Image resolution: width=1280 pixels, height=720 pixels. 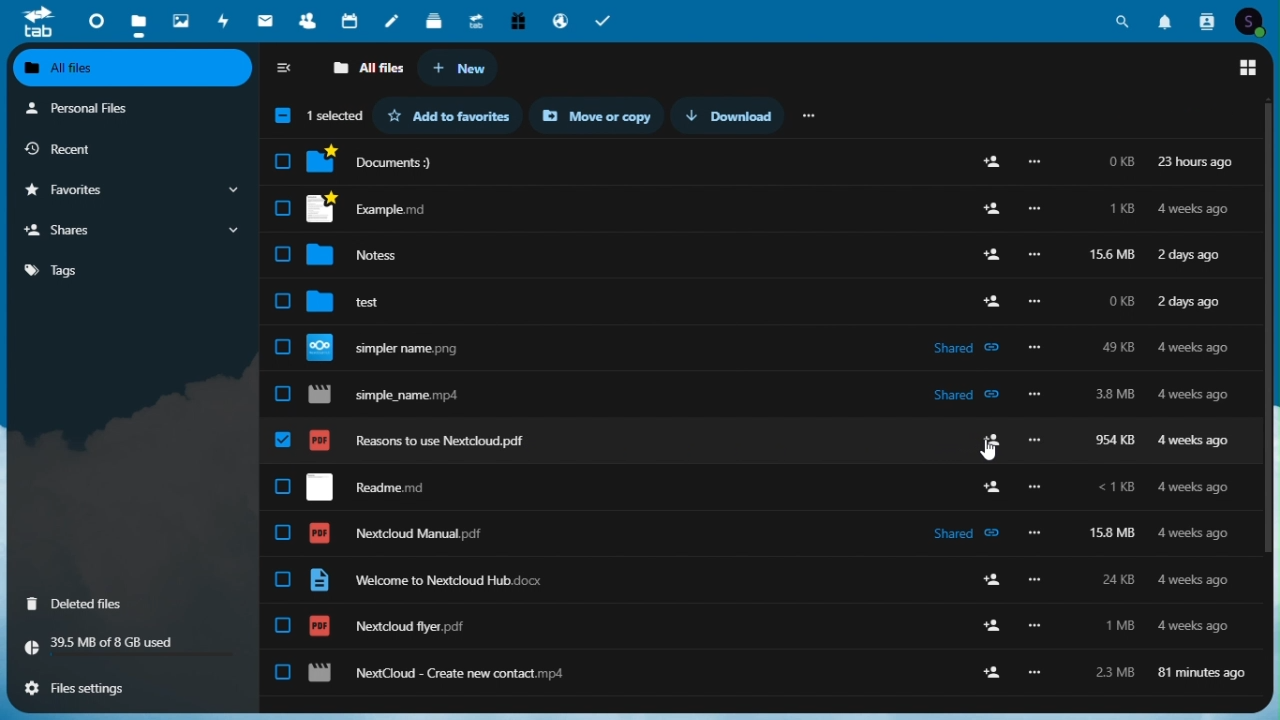 What do you see at coordinates (1117, 346) in the screenshot?
I see `49 kb` at bounding box center [1117, 346].